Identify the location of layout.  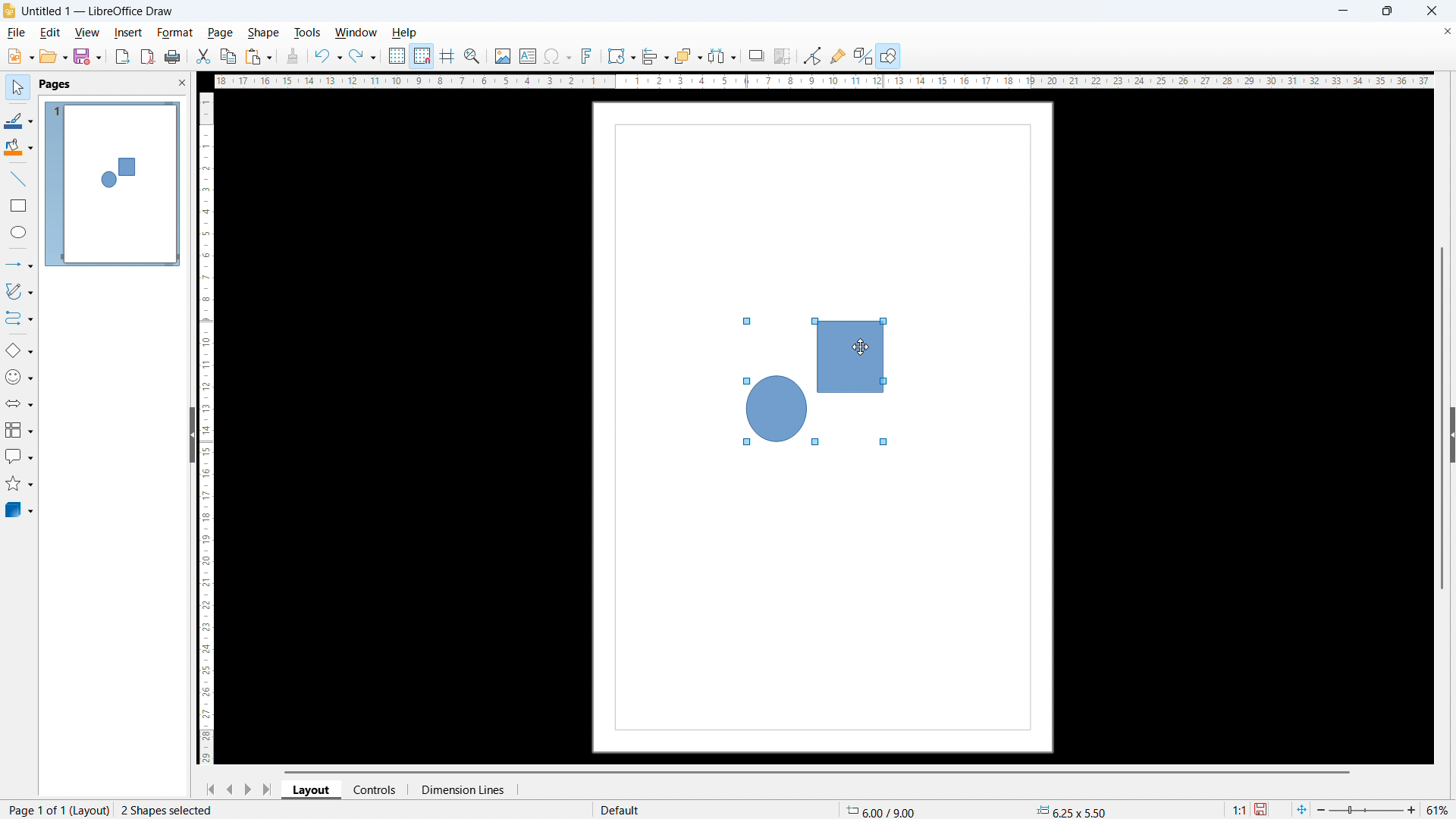
(312, 790).